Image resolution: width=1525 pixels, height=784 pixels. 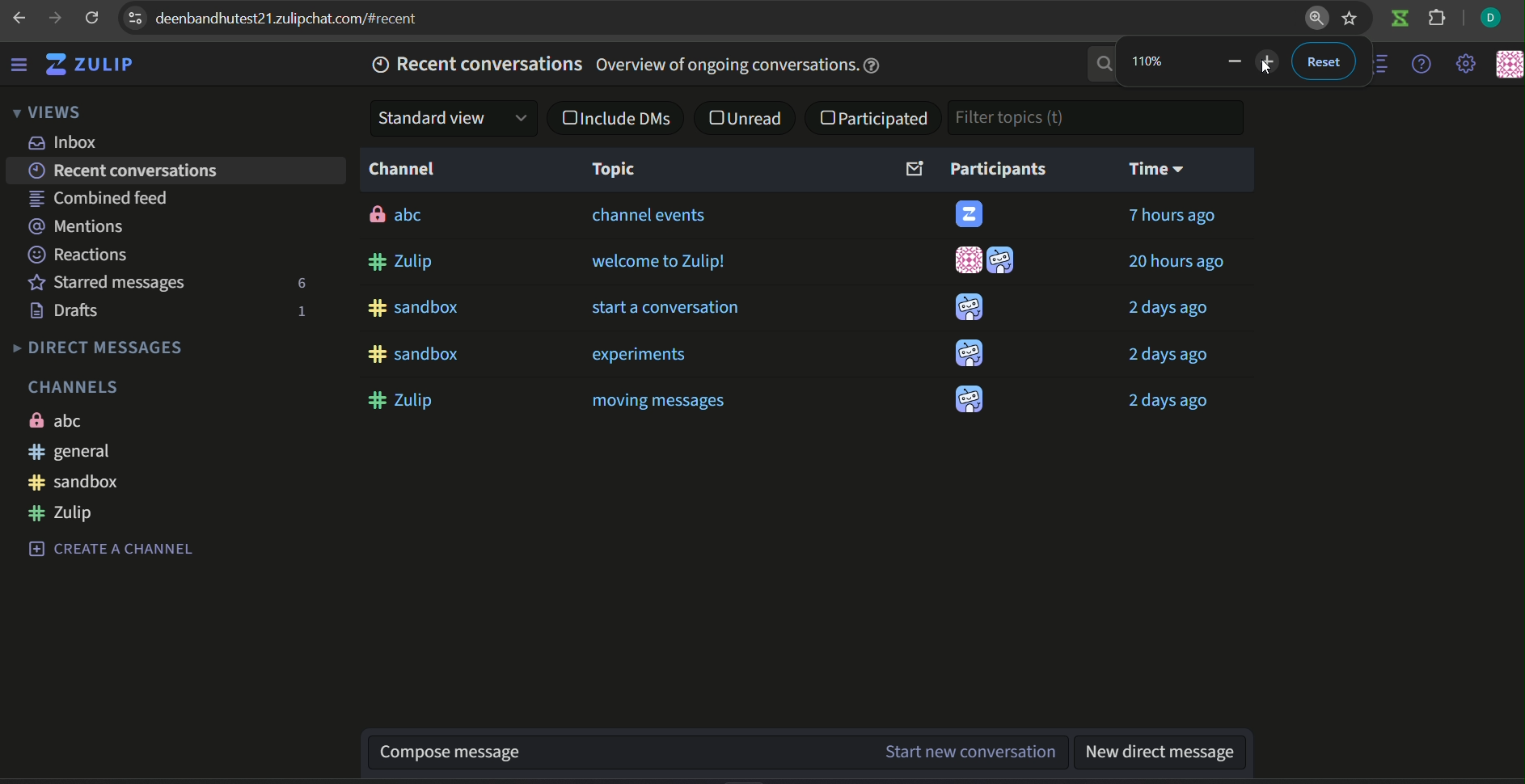 I want to click on icon, so click(x=969, y=402).